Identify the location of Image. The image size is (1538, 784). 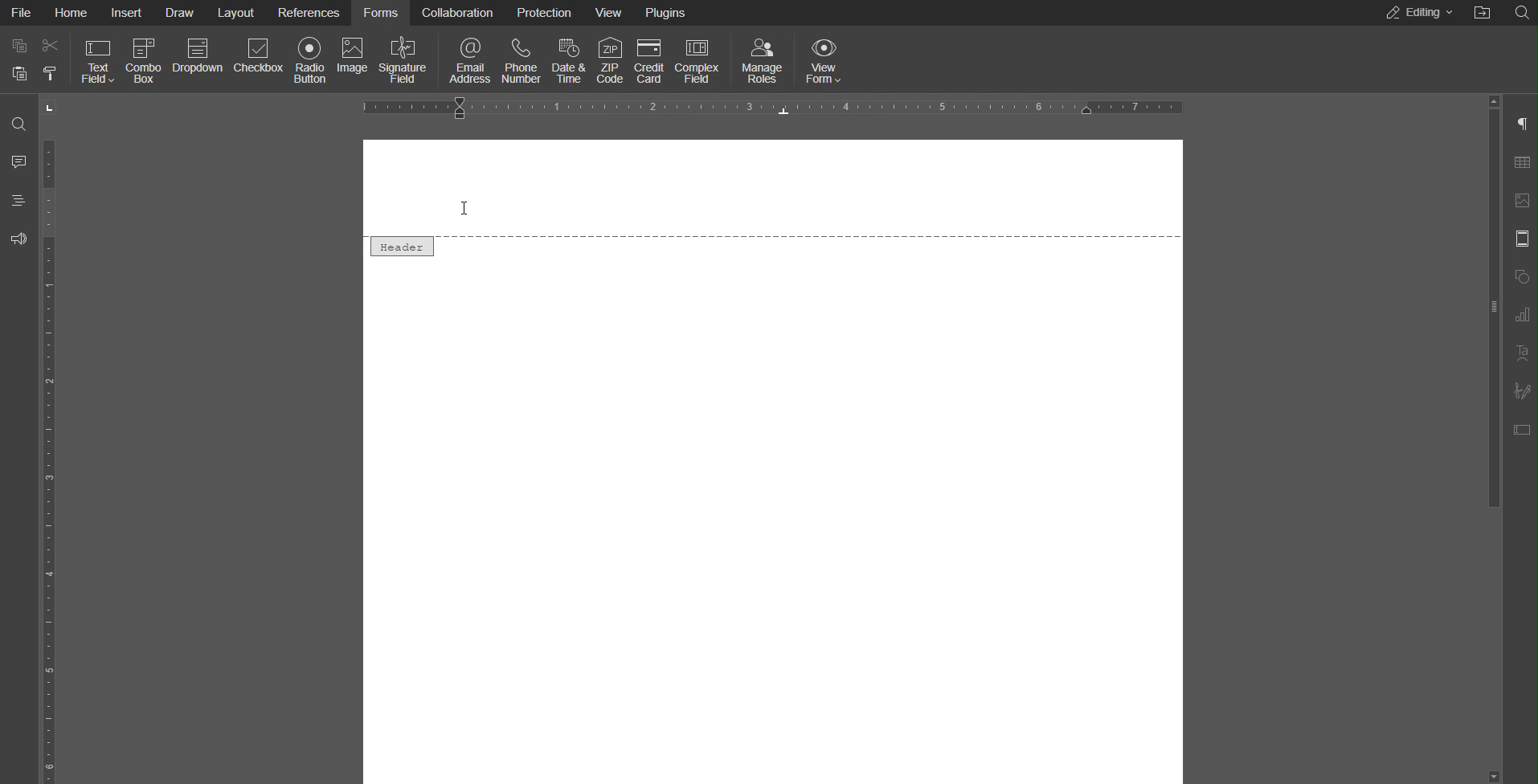
(355, 59).